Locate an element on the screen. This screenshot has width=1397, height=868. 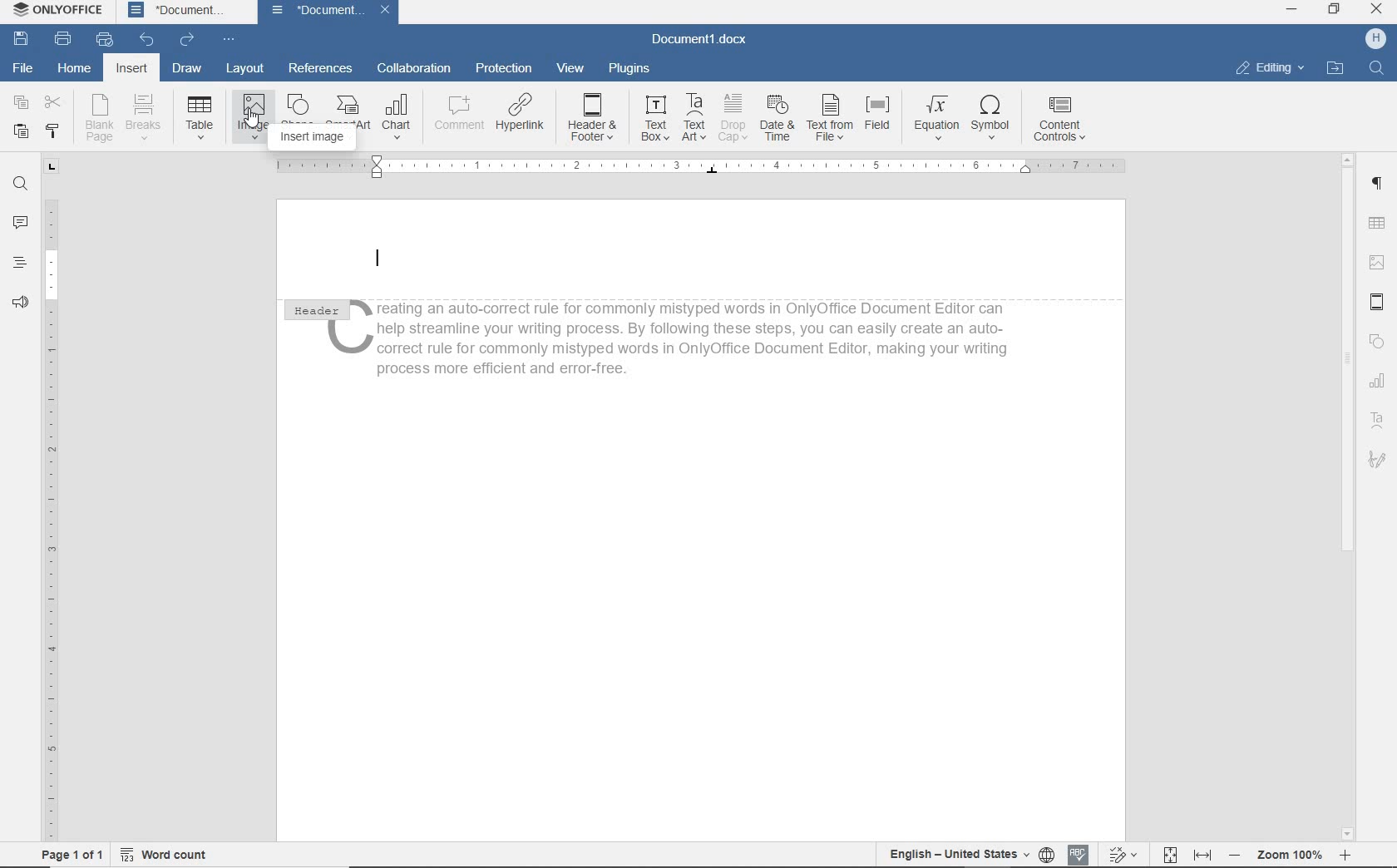
TEXT FROM FILE is located at coordinates (829, 121).